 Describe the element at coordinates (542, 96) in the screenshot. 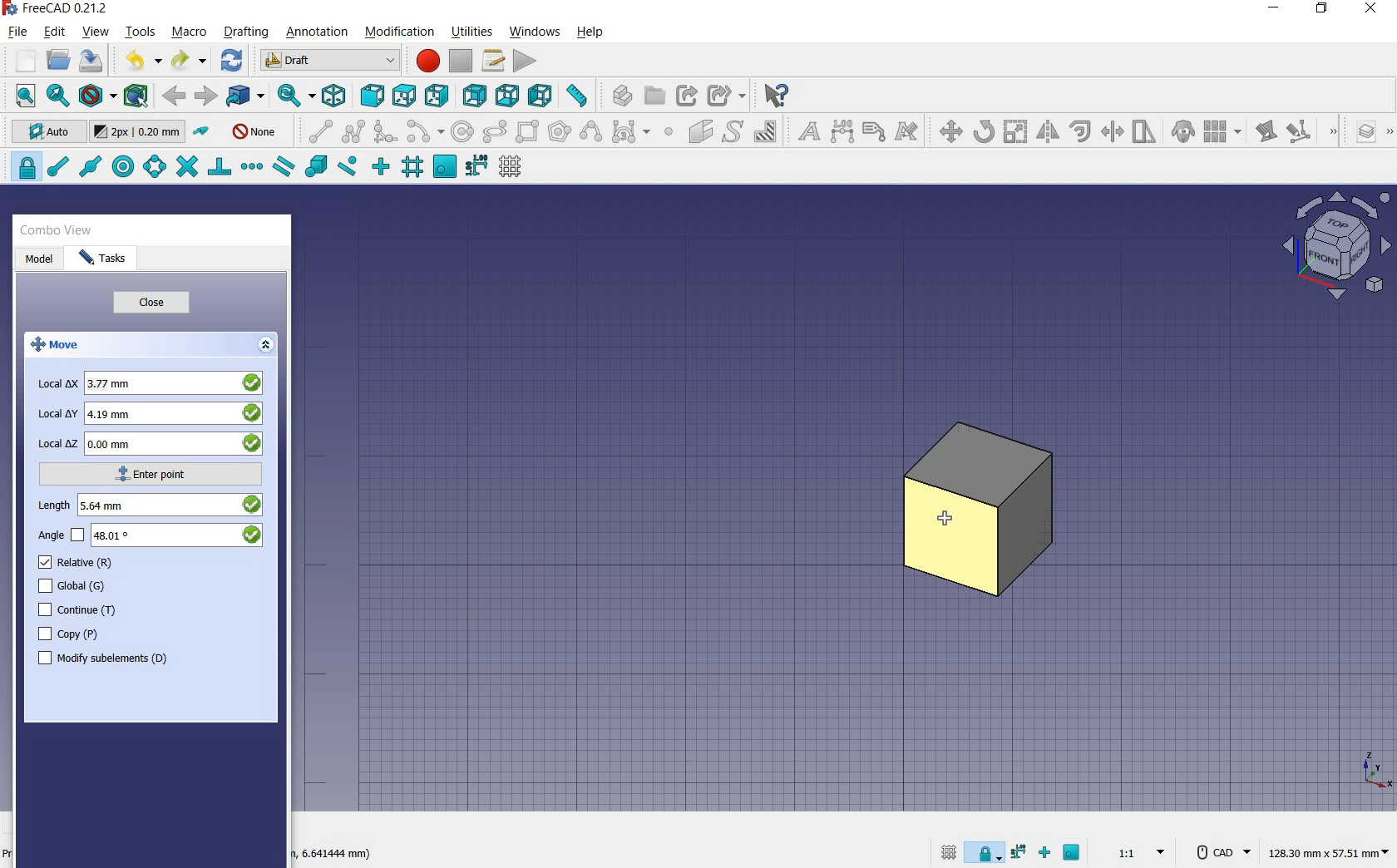

I see `left` at that location.